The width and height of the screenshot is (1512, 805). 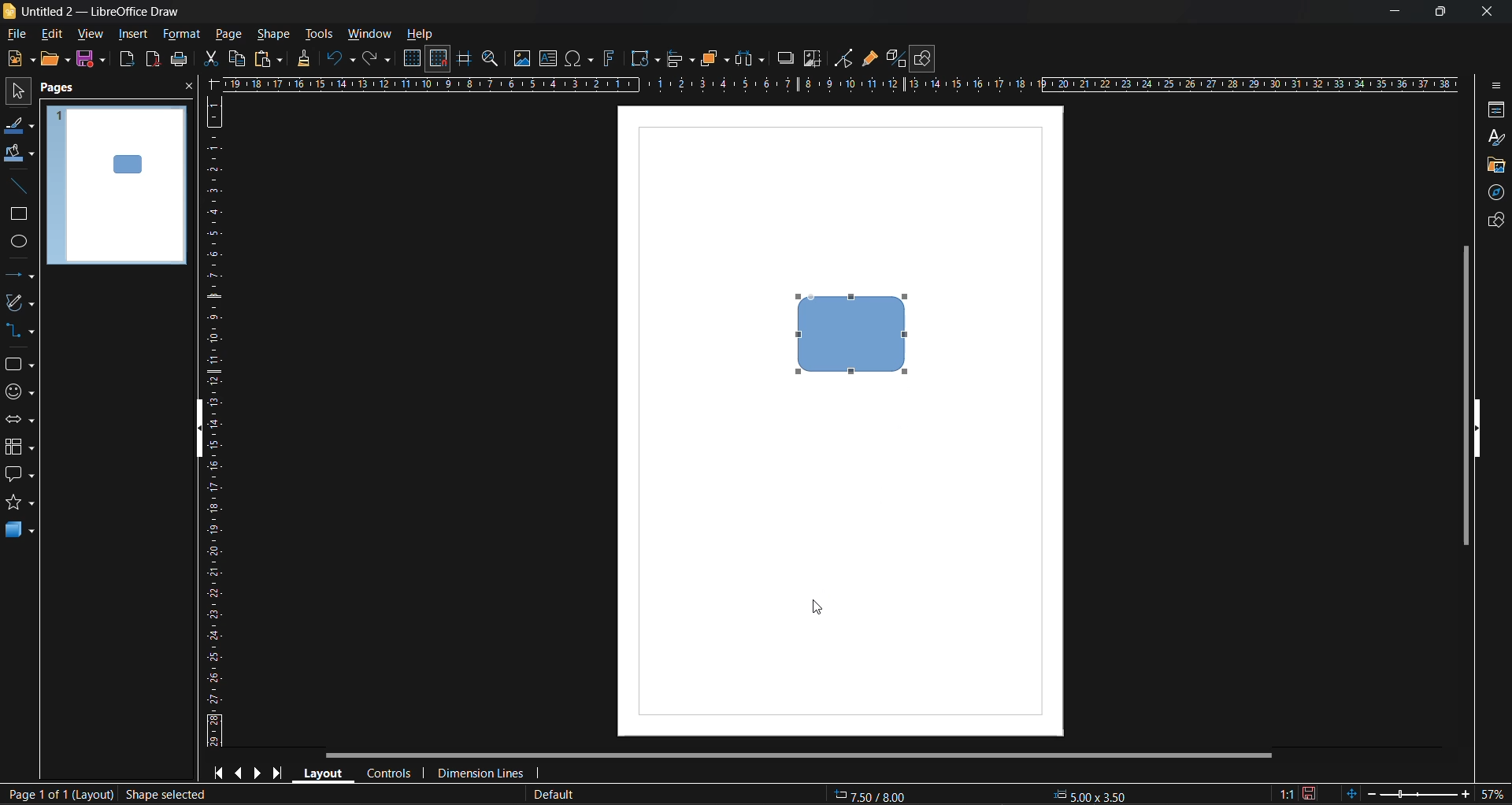 I want to click on coordinates, so click(x=978, y=796).